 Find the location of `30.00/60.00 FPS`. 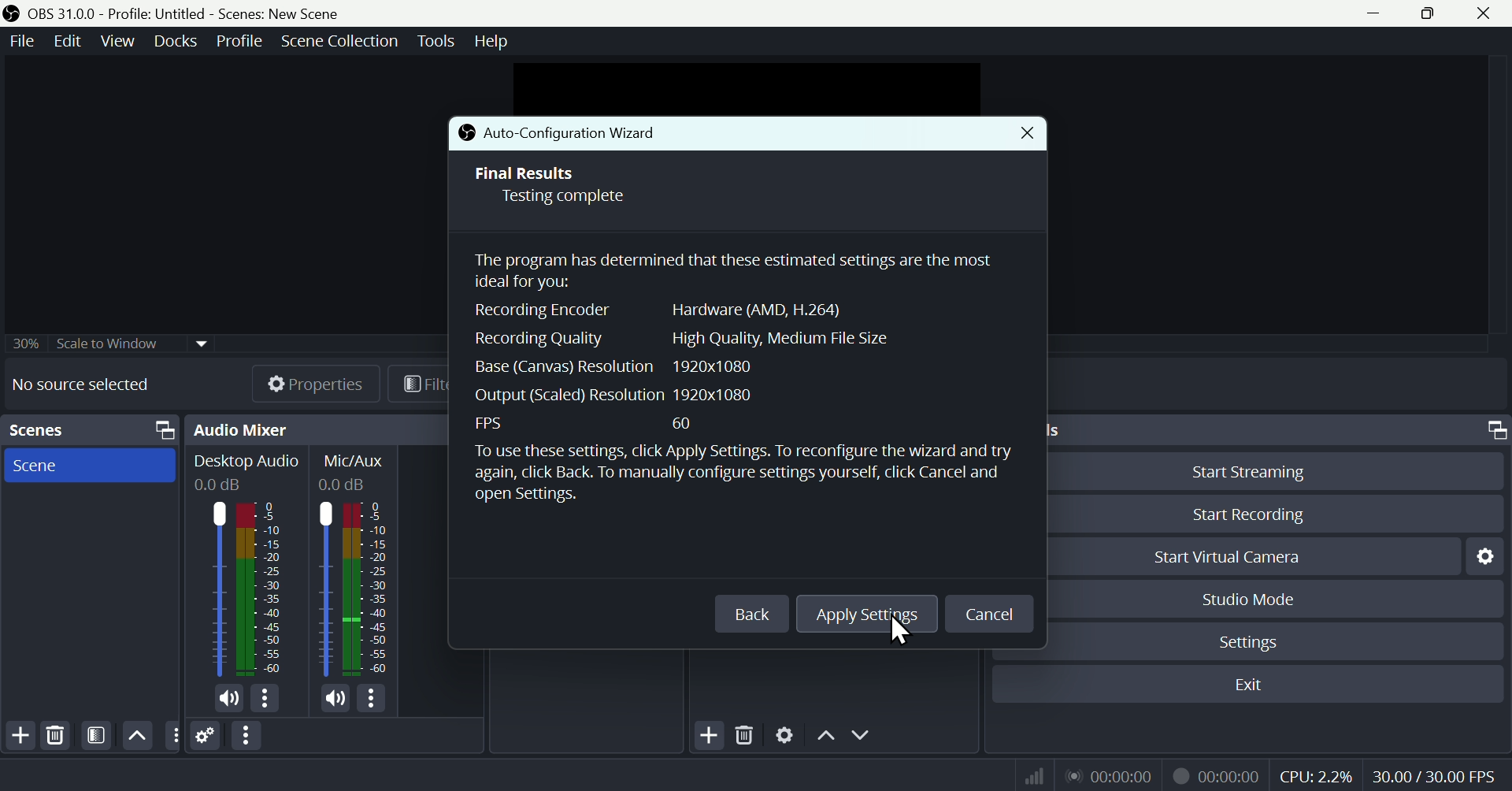

30.00/60.00 FPS is located at coordinates (1438, 772).